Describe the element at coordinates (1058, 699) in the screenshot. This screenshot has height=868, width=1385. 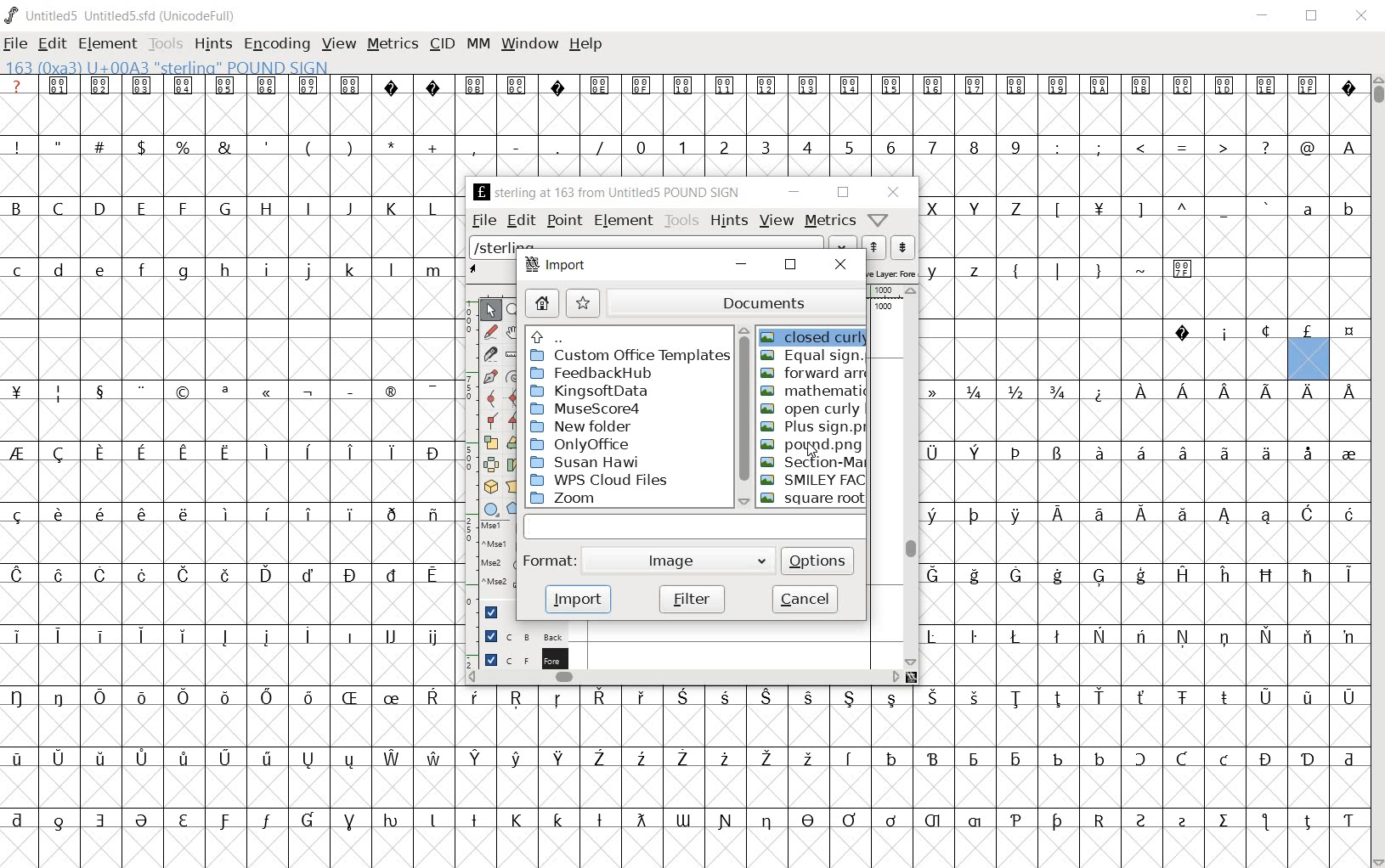
I see `Symbol` at that location.